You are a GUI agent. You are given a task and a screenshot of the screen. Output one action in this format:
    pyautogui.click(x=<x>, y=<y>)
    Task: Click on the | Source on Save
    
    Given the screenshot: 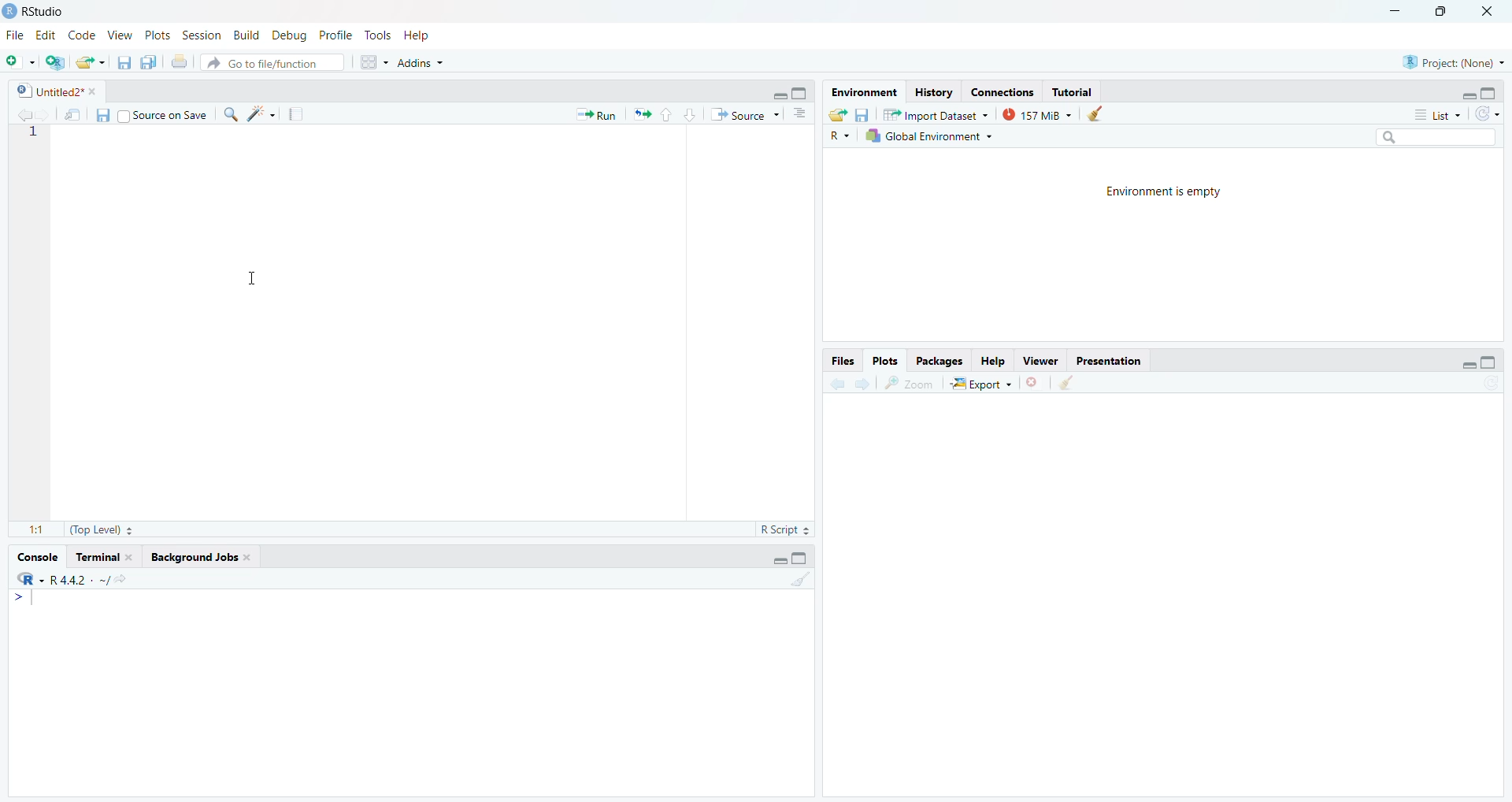 What is the action you would take?
    pyautogui.click(x=165, y=113)
    